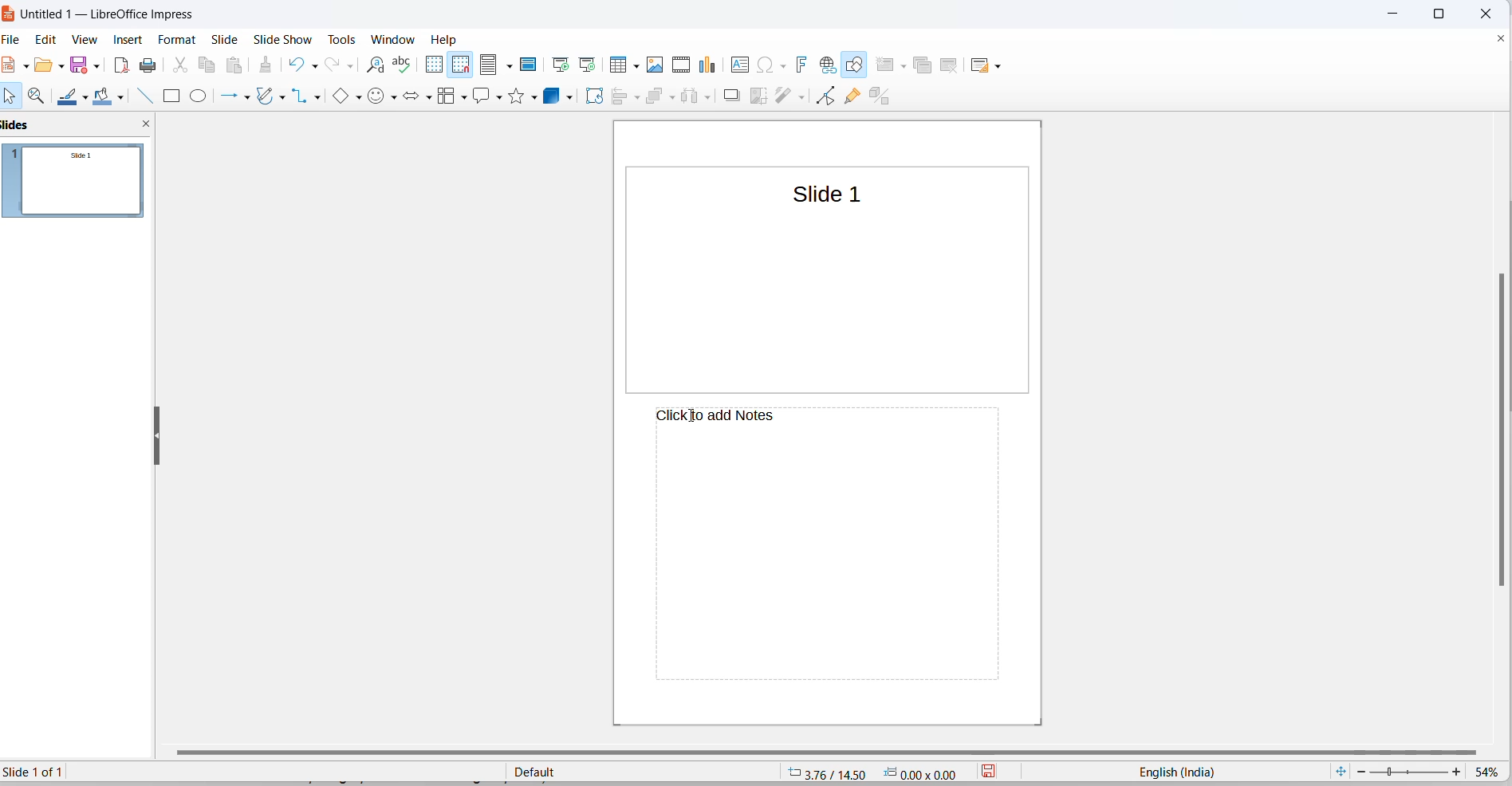 The height and width of the screenshot is (786, 1512). What do you see at coordinates (1342, 771) in the screenshot?
I see `fit current slide to windows` at bounding box center [1342, 771].